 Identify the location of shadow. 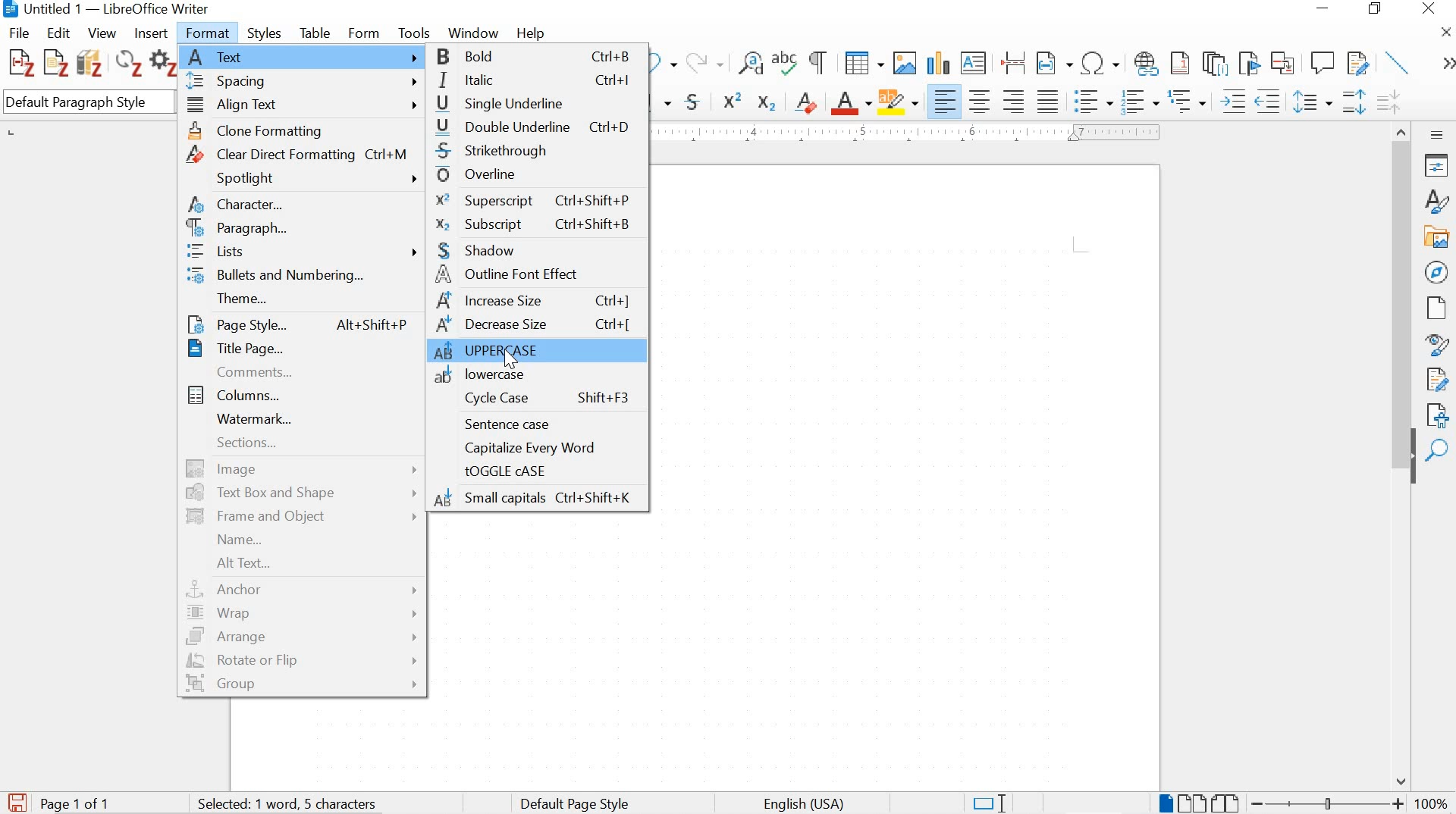
(535, 250).